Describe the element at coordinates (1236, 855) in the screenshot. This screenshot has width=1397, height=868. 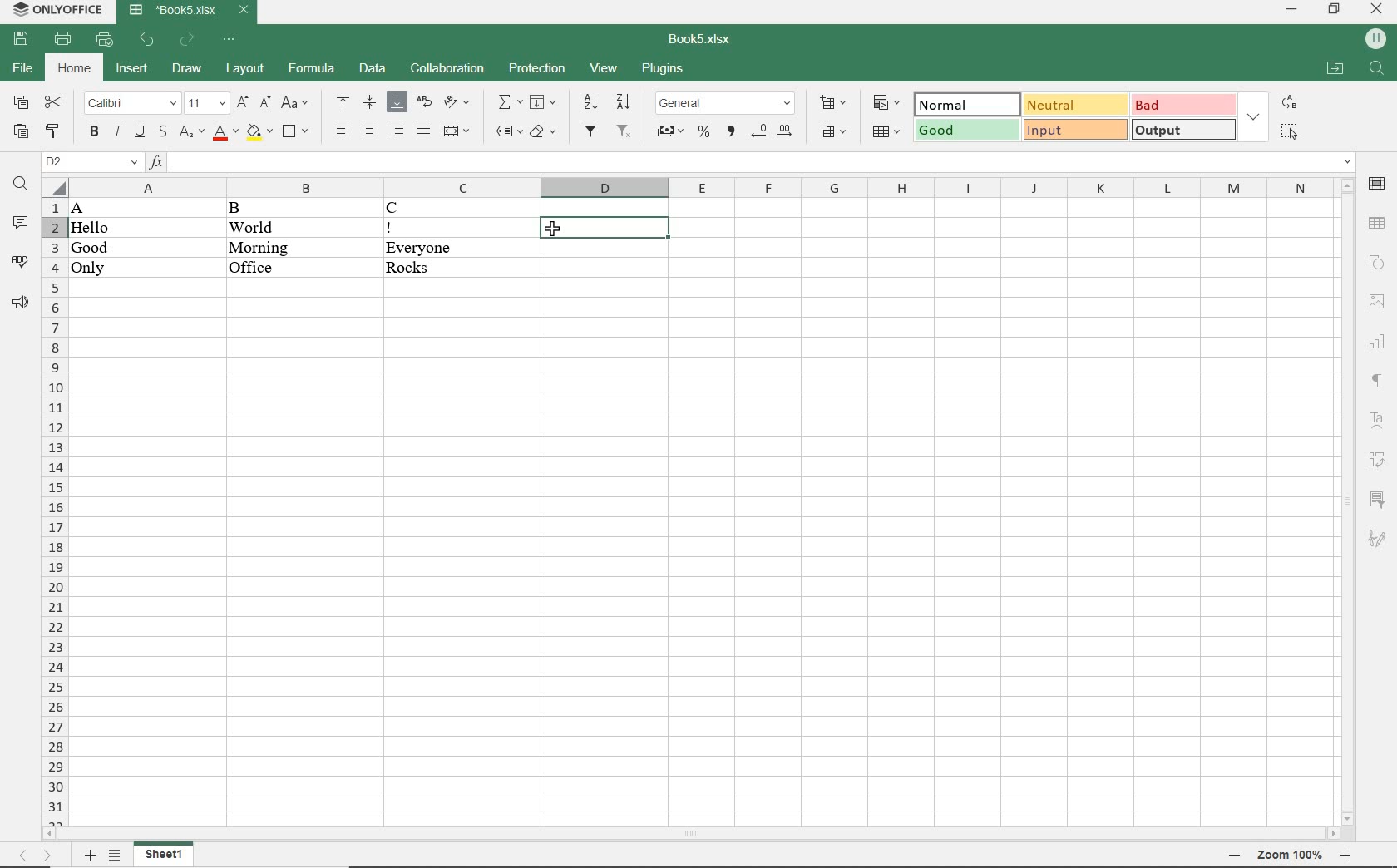
I see `zoom out` at that location.